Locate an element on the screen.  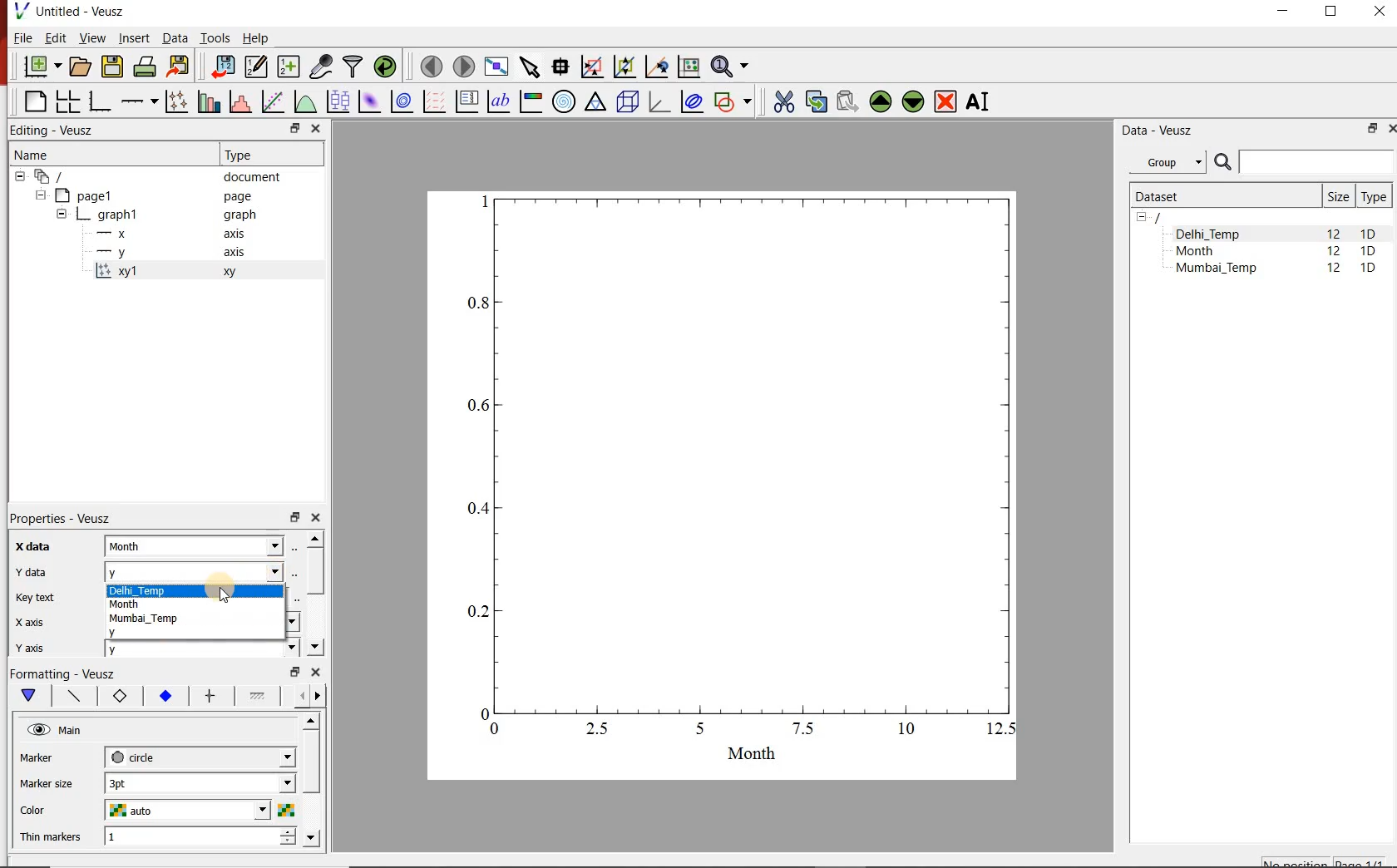
graph1 is located at coordinates (741, 474).